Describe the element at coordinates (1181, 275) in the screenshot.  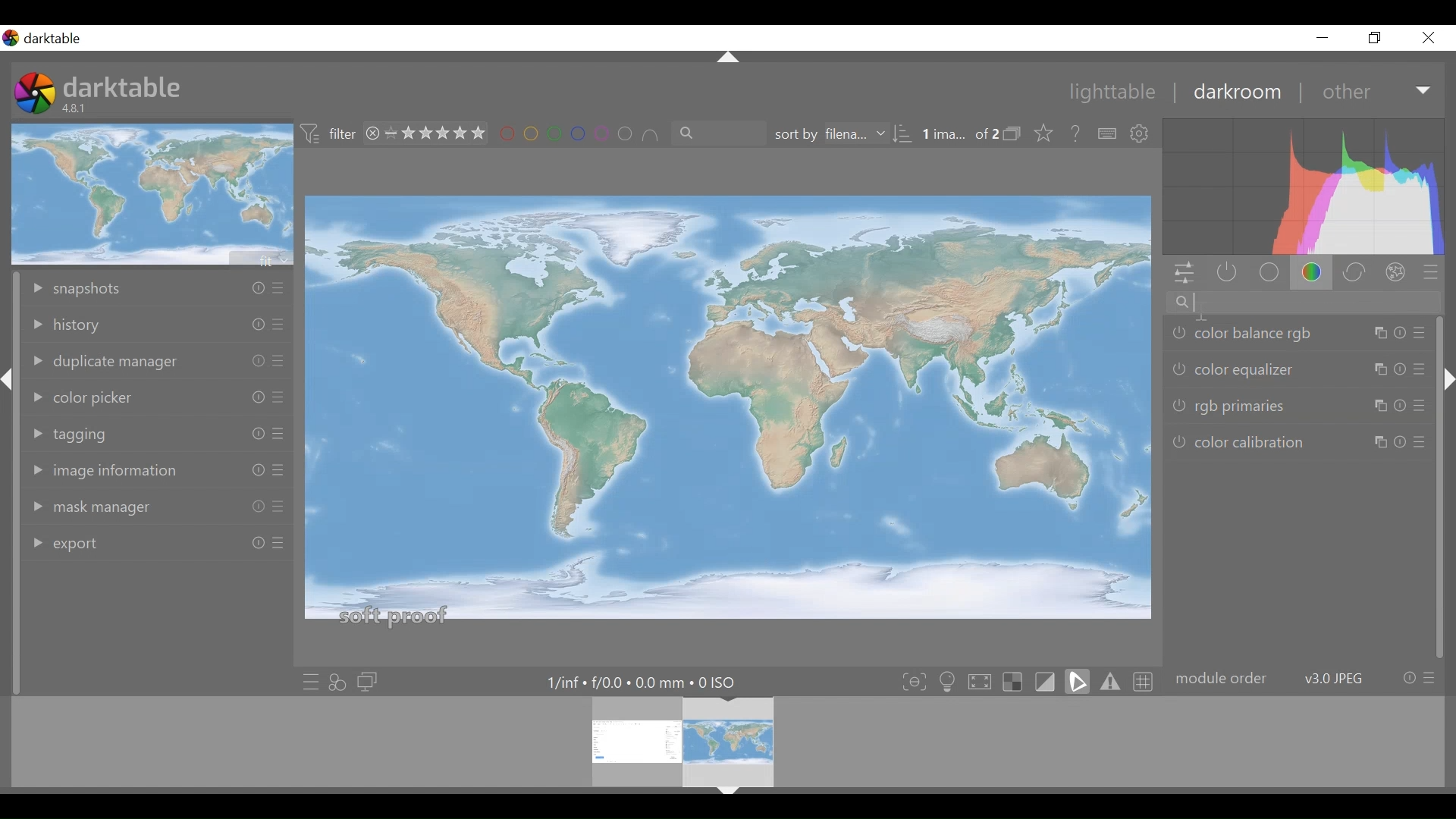
I see `quick access panel` at that location.